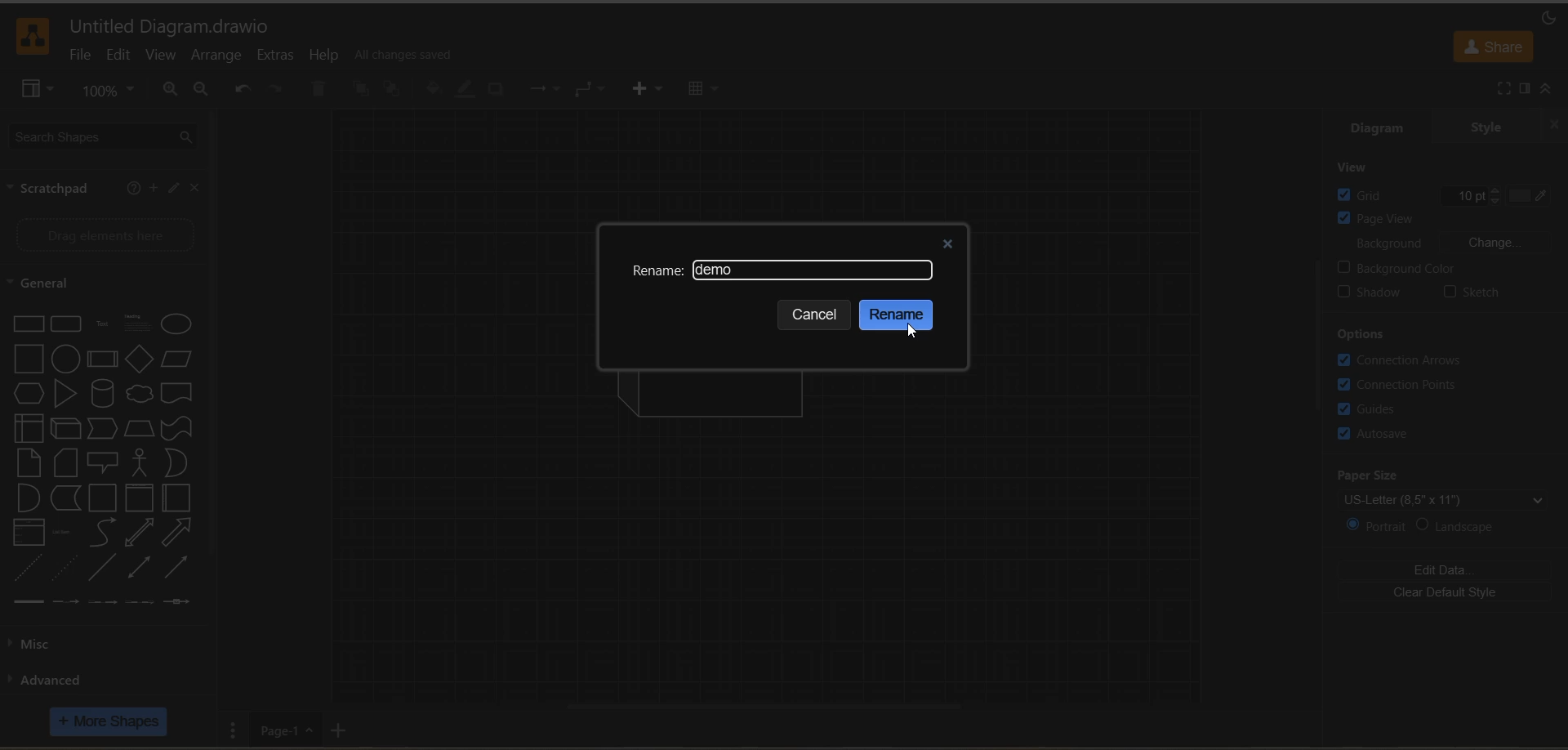  Describe the element at coordinates (171, 190) in the screenshot. I see `edit` at that location.